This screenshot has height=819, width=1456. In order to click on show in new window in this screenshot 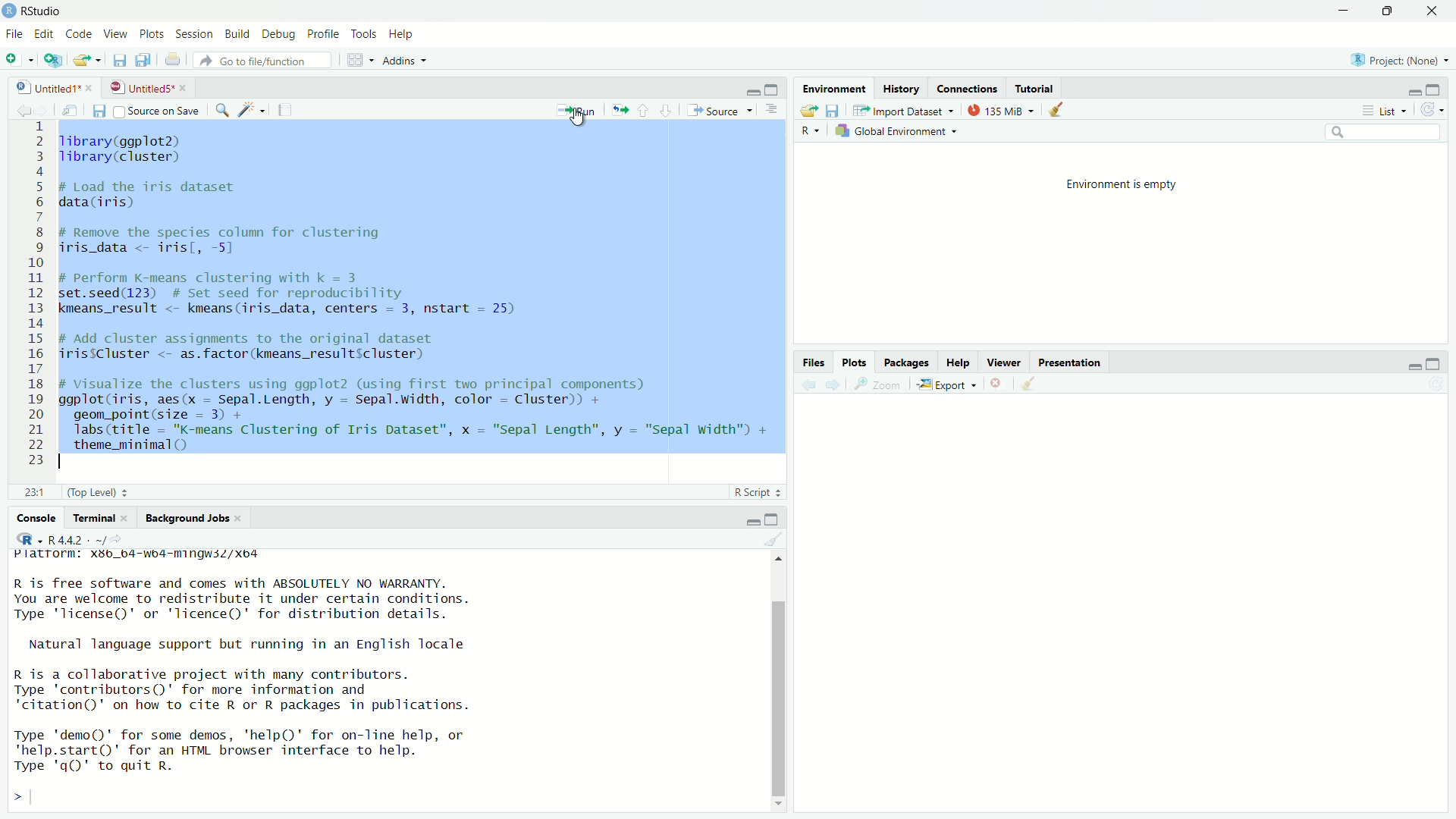, I will do `click(67, 108)`.